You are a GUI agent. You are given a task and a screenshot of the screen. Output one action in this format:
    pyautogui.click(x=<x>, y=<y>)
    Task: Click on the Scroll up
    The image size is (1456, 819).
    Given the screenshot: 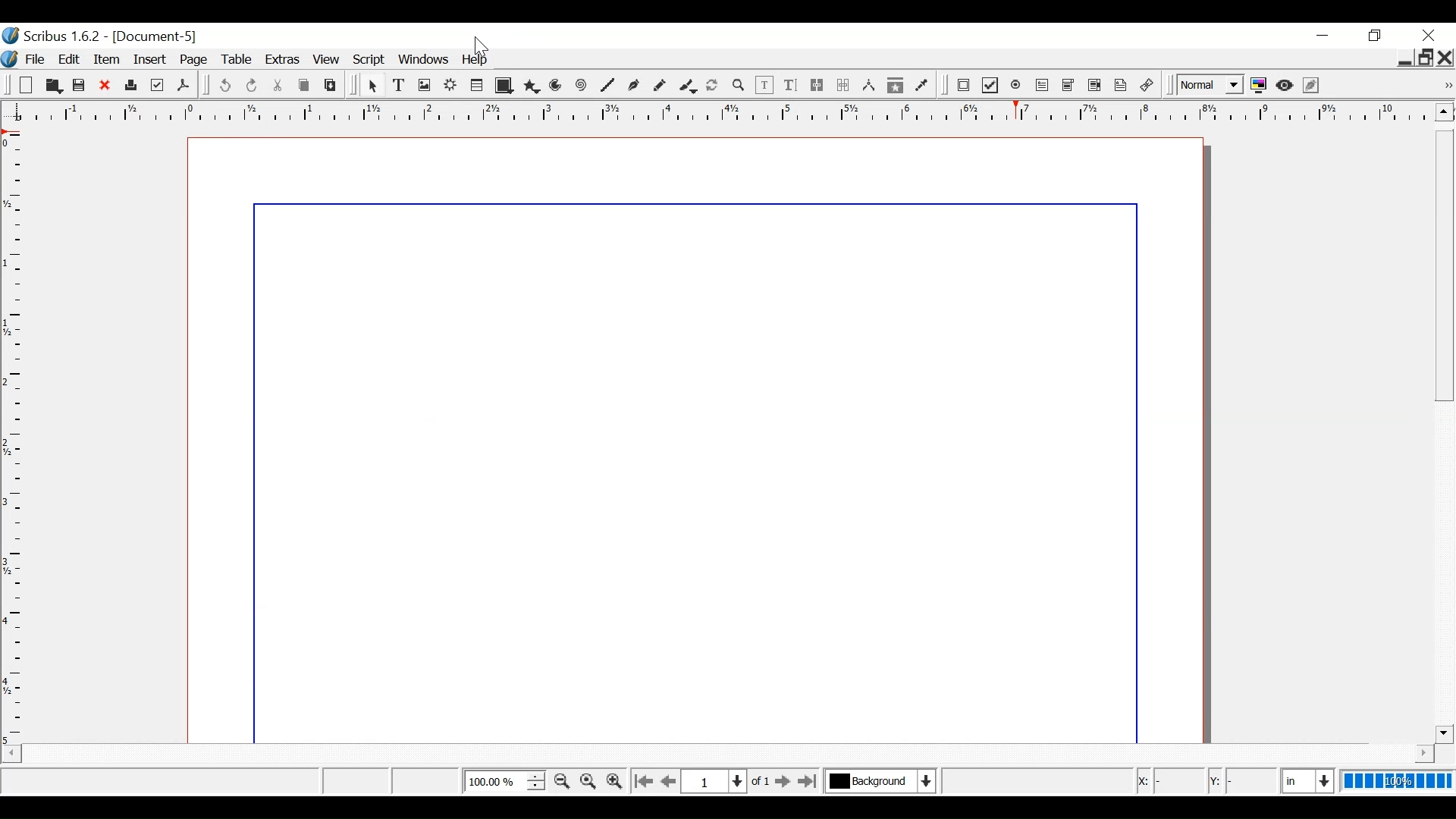 What is the action you would take?
    pyautogui.click(x=1444, y=111)
    